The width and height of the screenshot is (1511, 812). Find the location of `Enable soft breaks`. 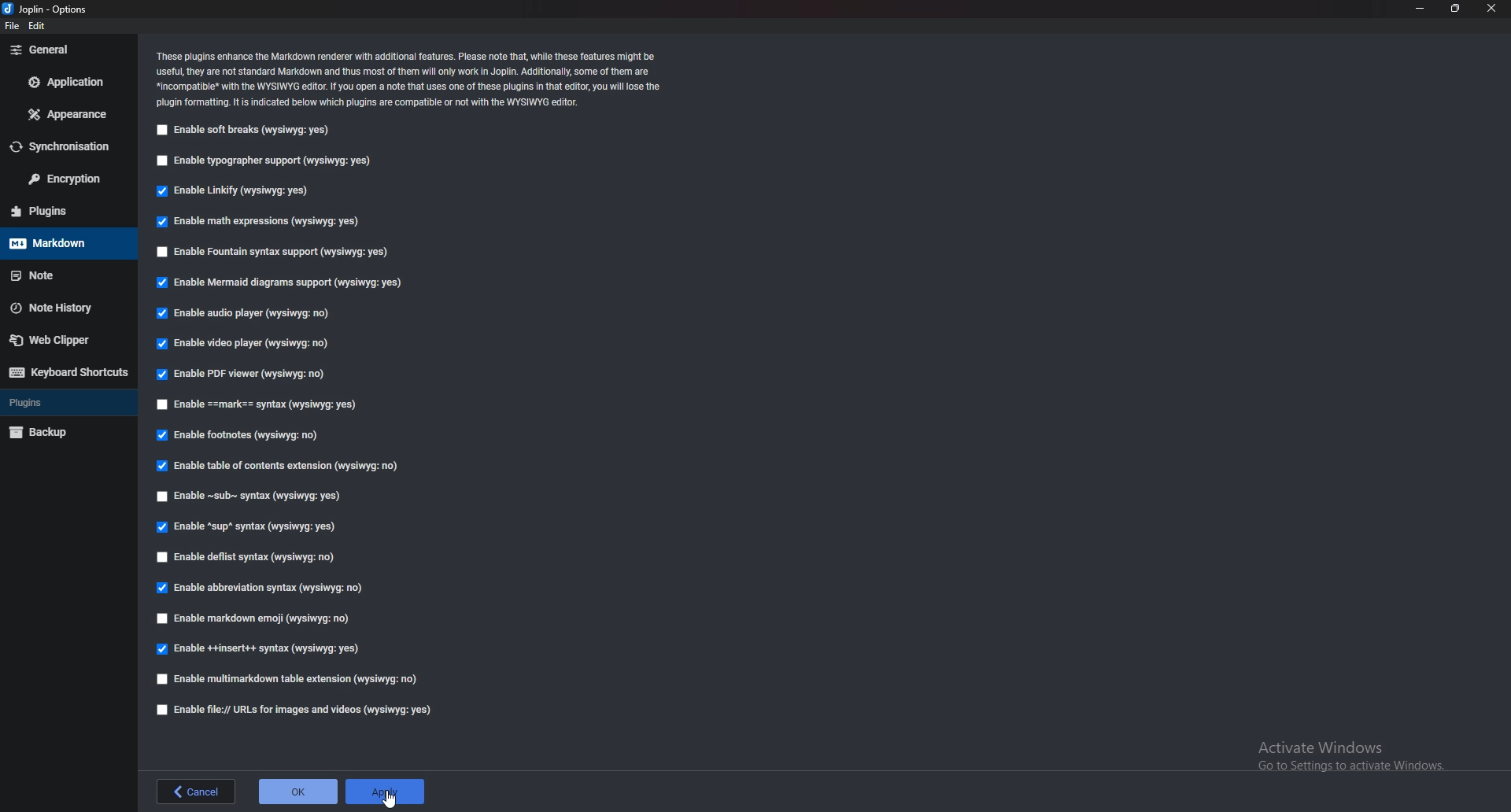

Enable soft breaks is located at coordinates (245, 132).